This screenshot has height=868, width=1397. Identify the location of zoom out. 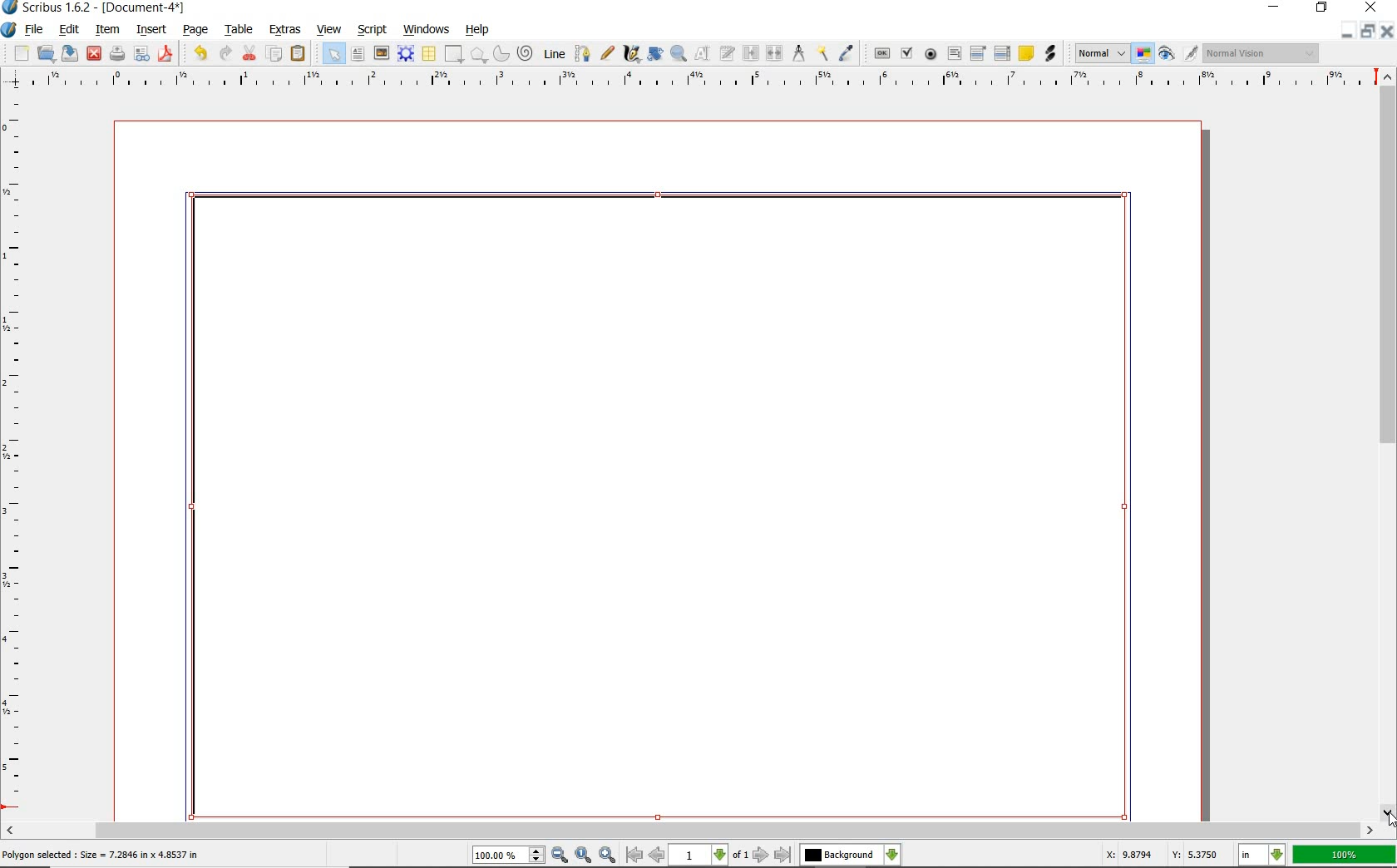
(560, 856).